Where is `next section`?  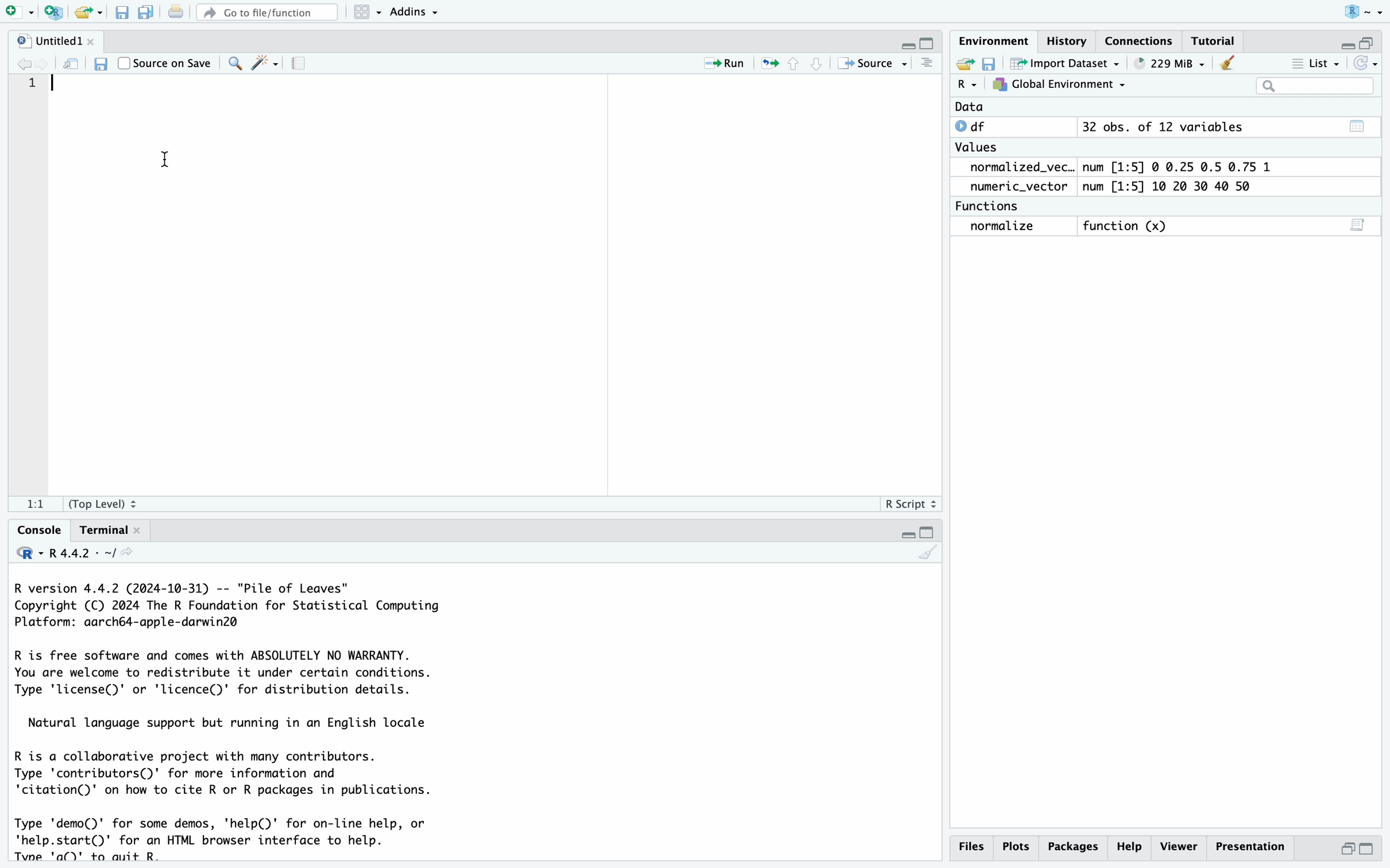 next section is located at coordinates (819, 65).